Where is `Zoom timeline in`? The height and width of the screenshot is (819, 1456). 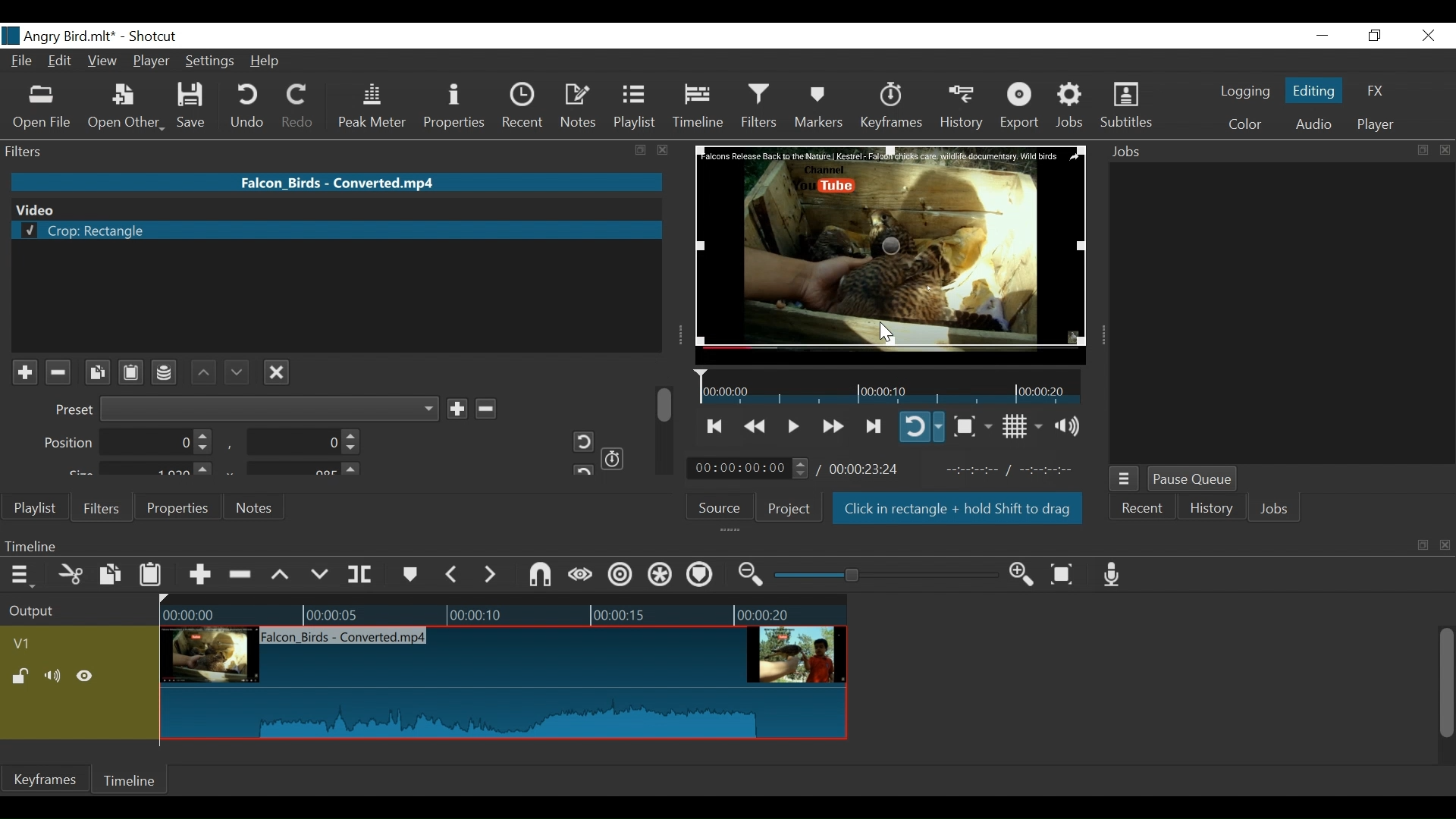 Zoom timeline in is located at coordinates (1026, 576).